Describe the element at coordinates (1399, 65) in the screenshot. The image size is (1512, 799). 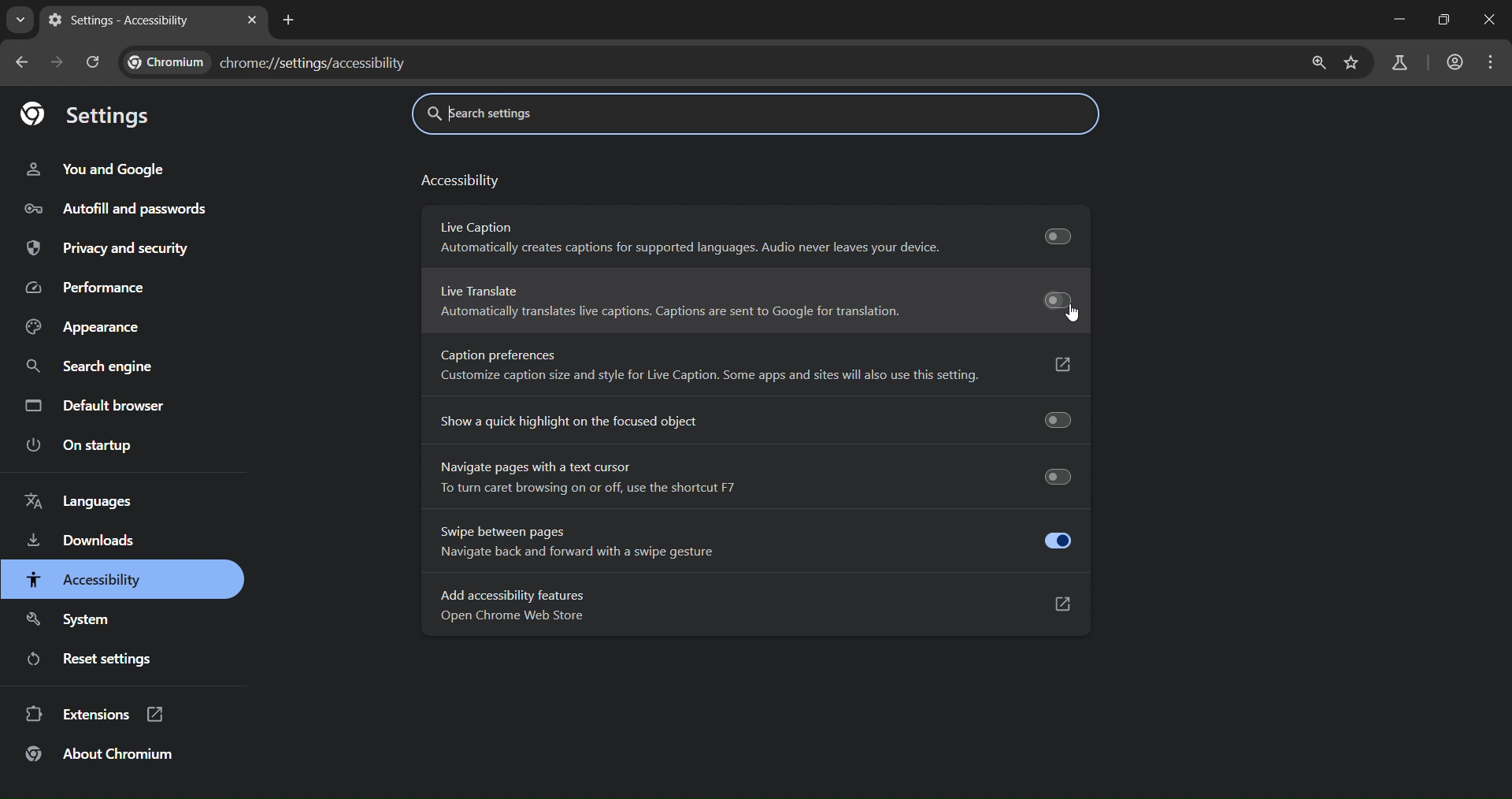
I see `search labs` at that location.